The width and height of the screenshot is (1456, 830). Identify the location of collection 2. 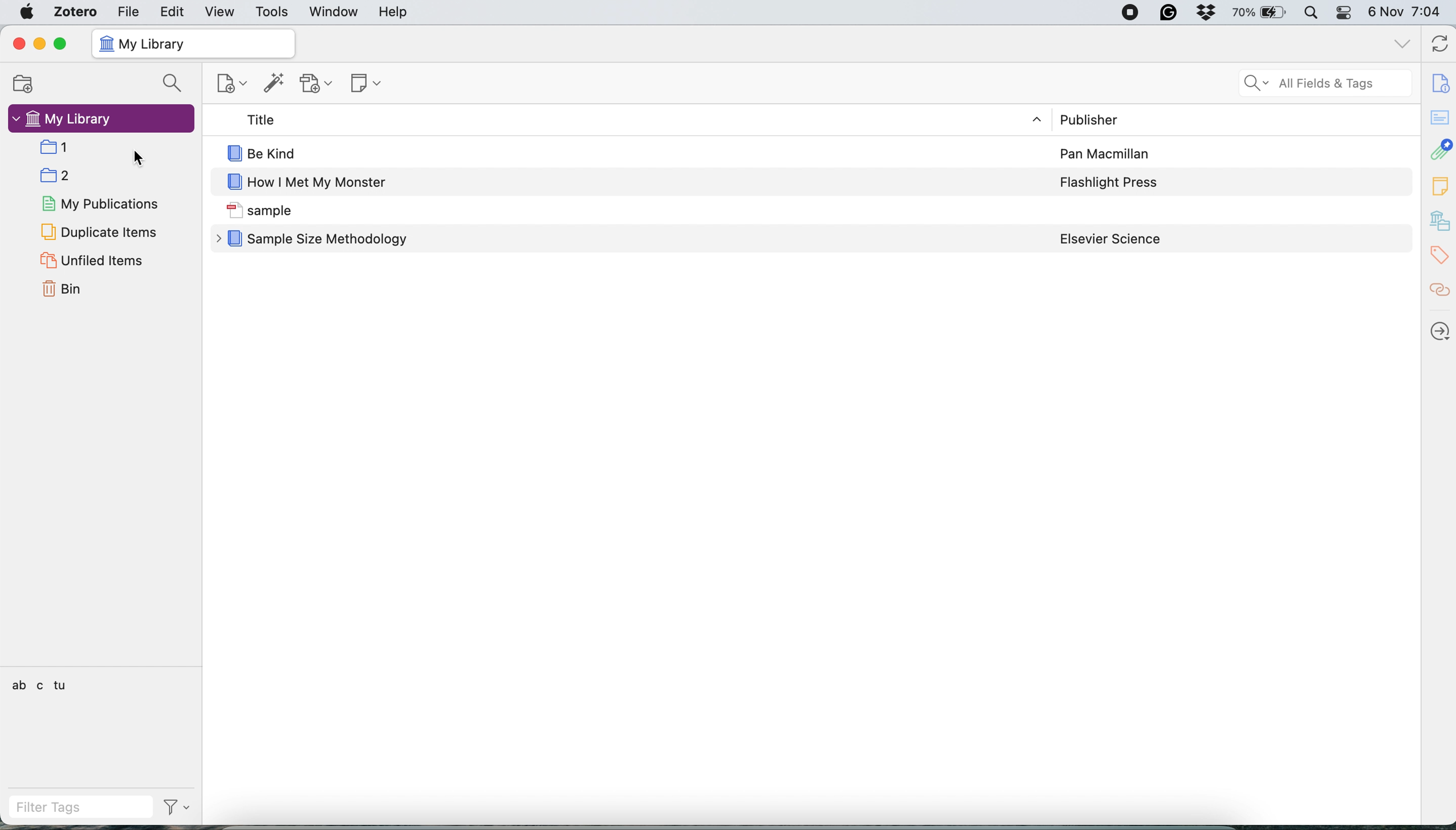
(60, 176).